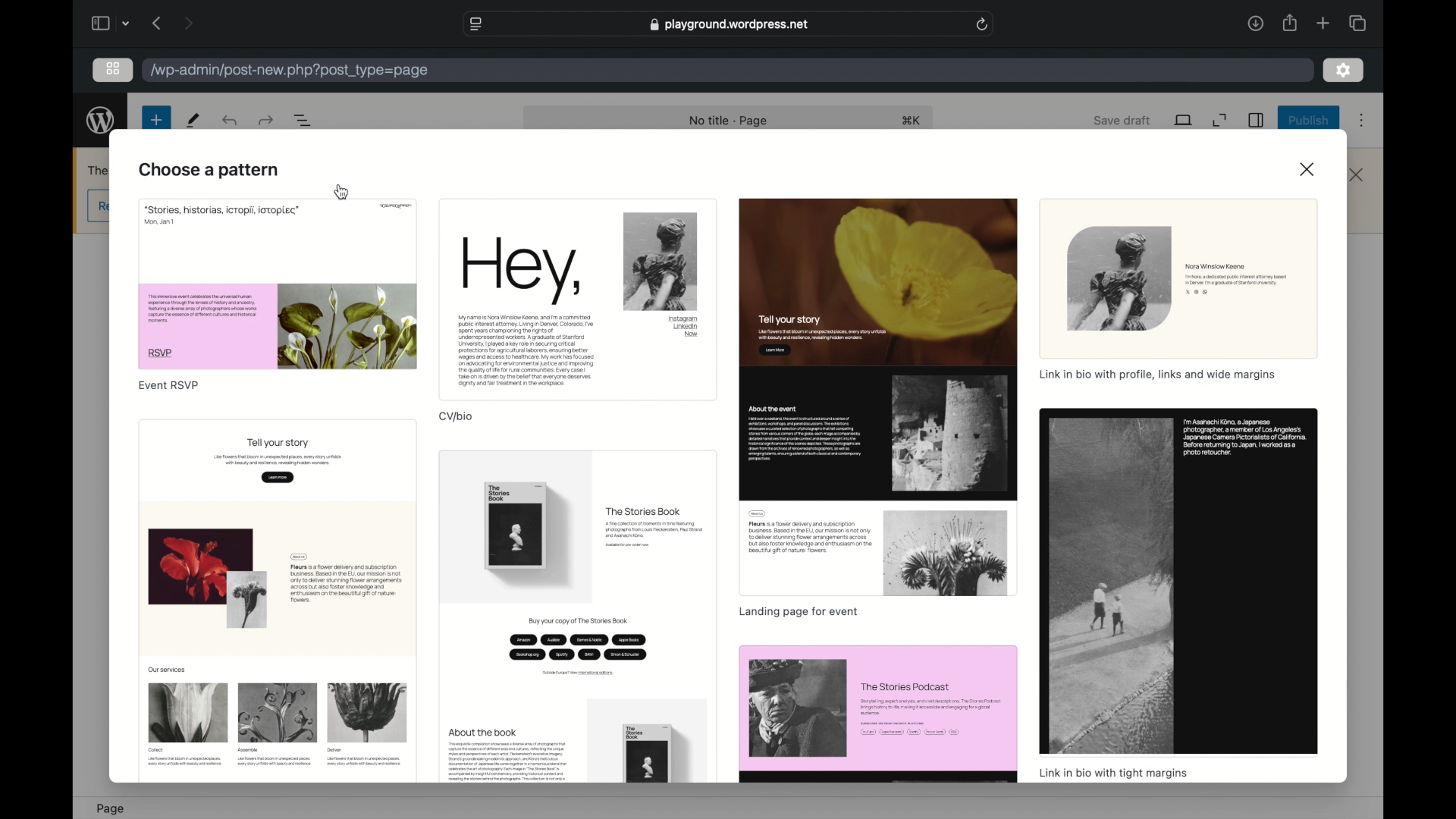 The width and height of the screenshot is (1456, 819). What do you see at coordinates (1116, 773) in the screenshot?
I see `link in bio with tight margins` at bounding box center [1116, 773].